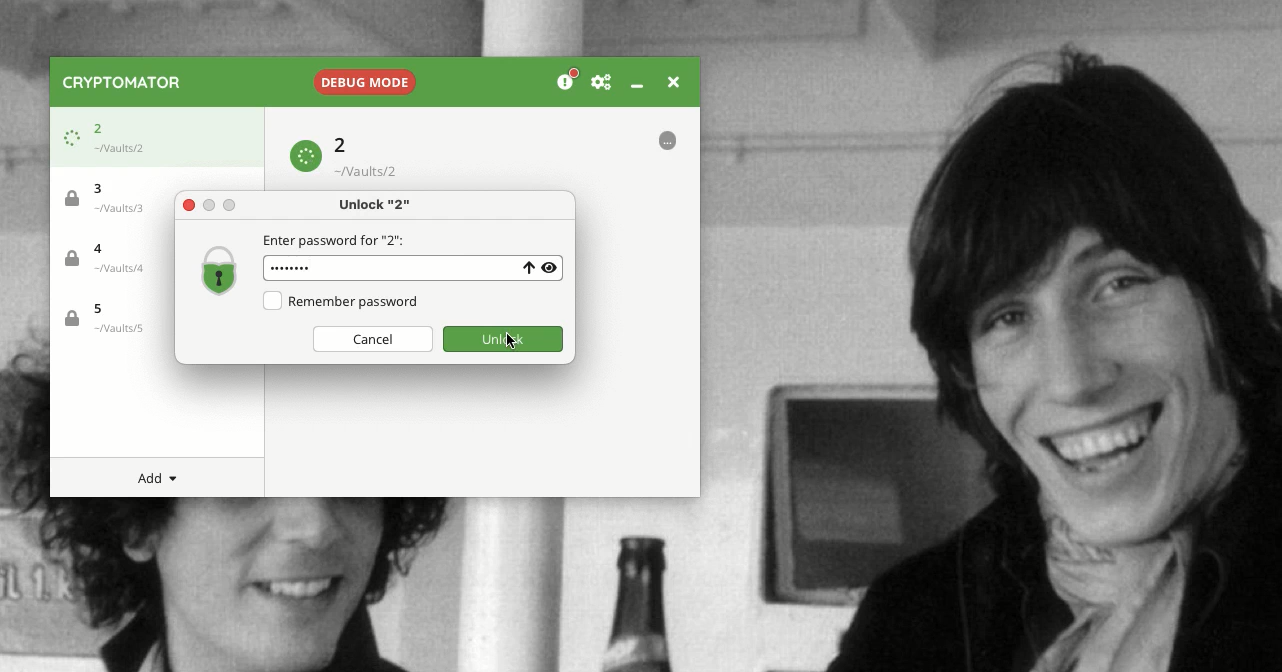 This screenshot has height=672, width=1282. Describe the element at coordinates (72, 137) in the screenshot. I see `Loading` at that location.